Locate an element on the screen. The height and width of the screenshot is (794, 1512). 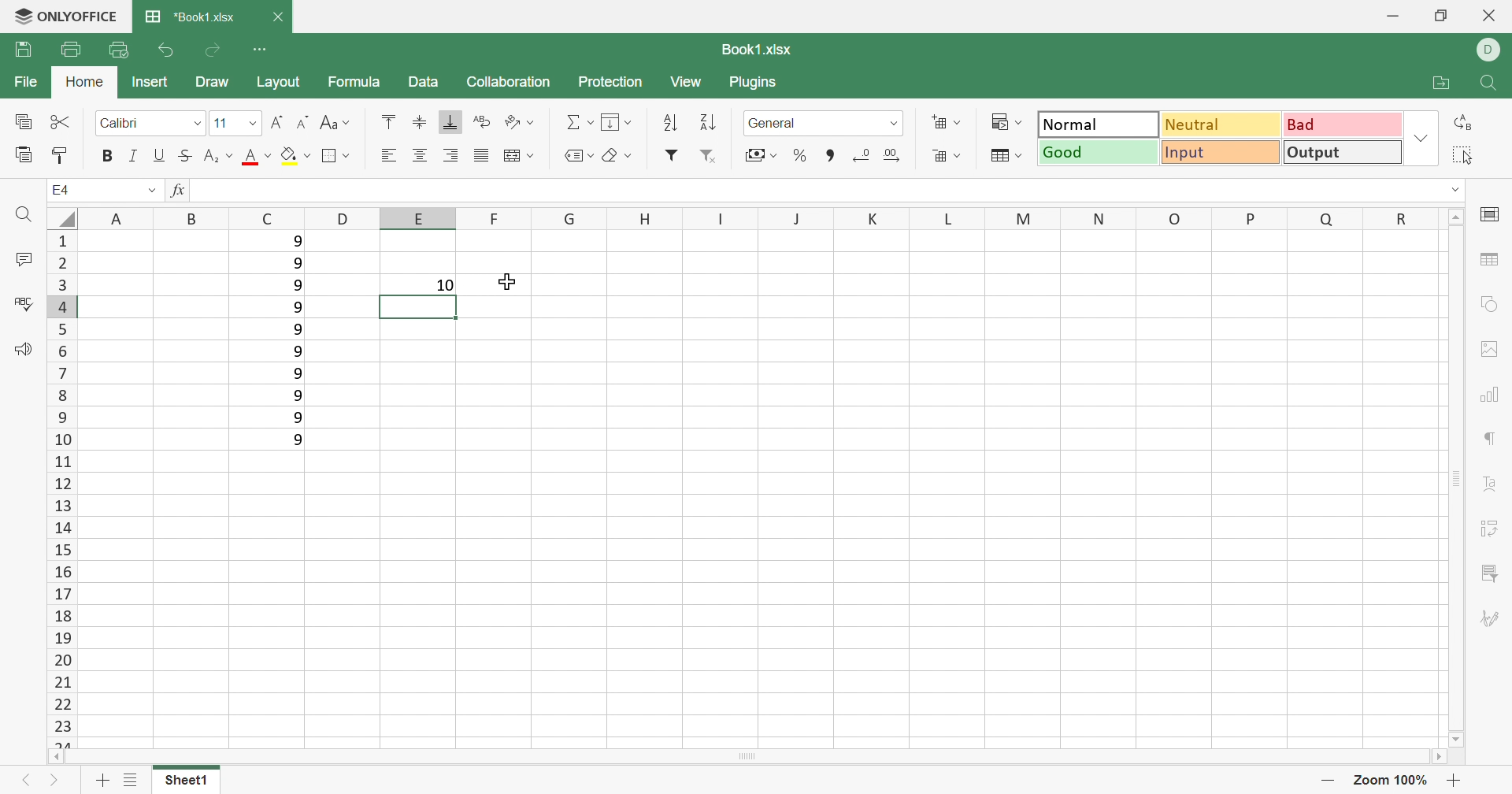
9 is located at coordinates (295, 396).